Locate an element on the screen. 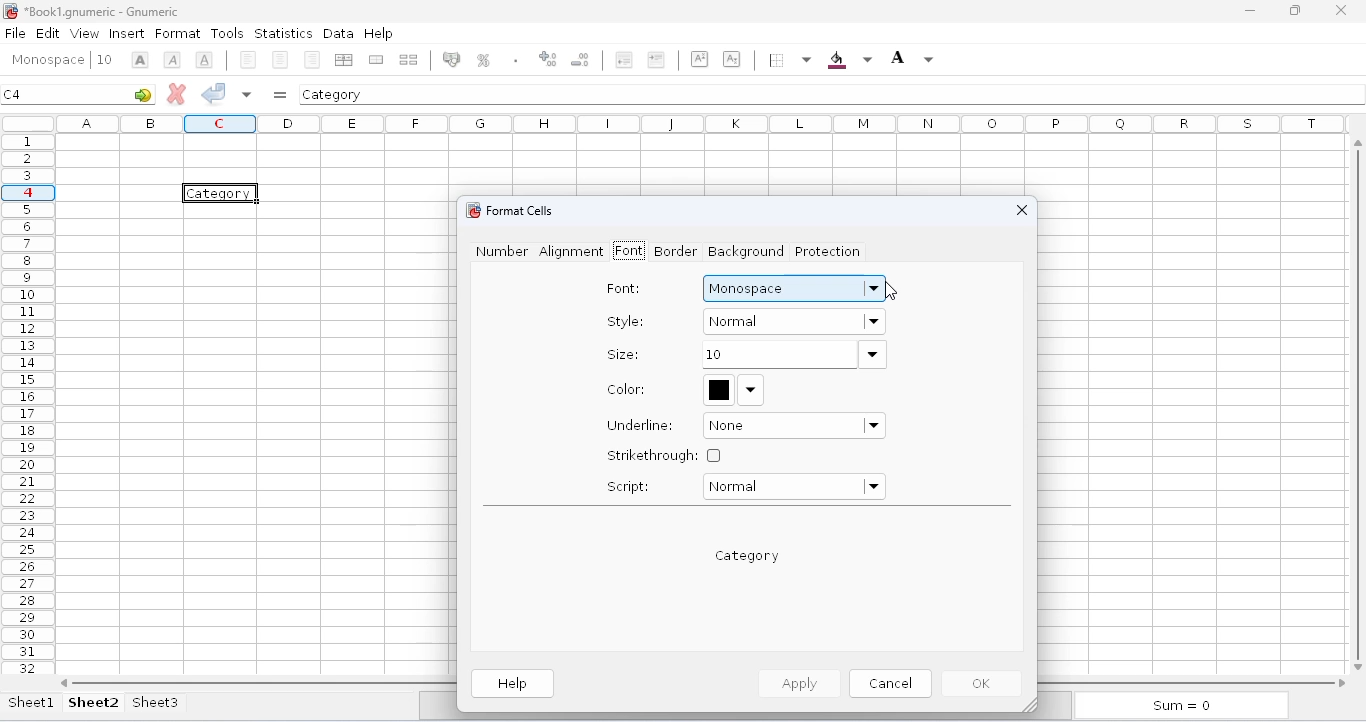 The width and height of the screenshot is (1366, 722). style: is located at coordinates (626, 321).